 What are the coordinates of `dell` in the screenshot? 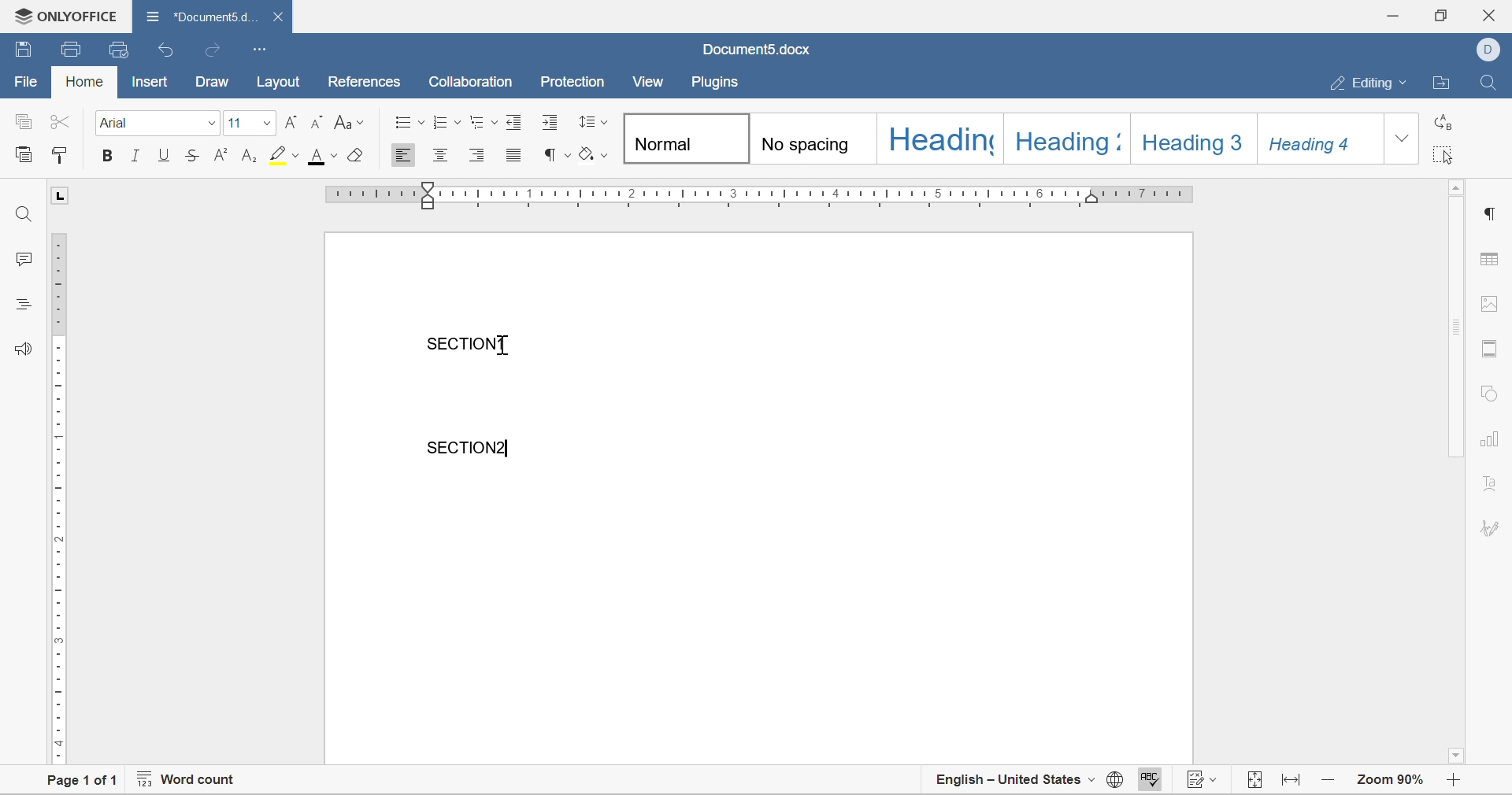 It's located at (1492, 48).